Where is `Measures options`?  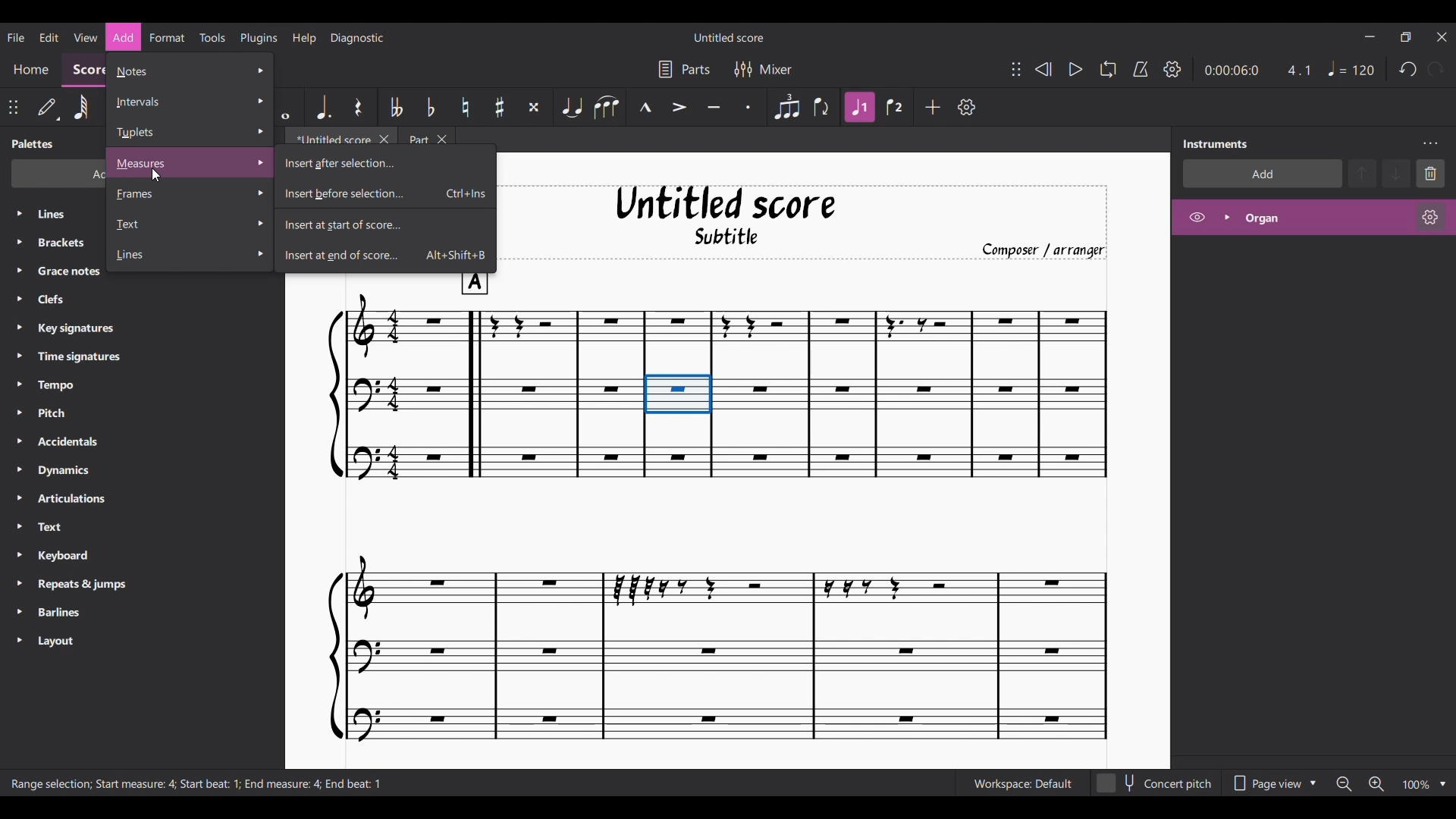 Measures options is located at coordinates (191, 163).